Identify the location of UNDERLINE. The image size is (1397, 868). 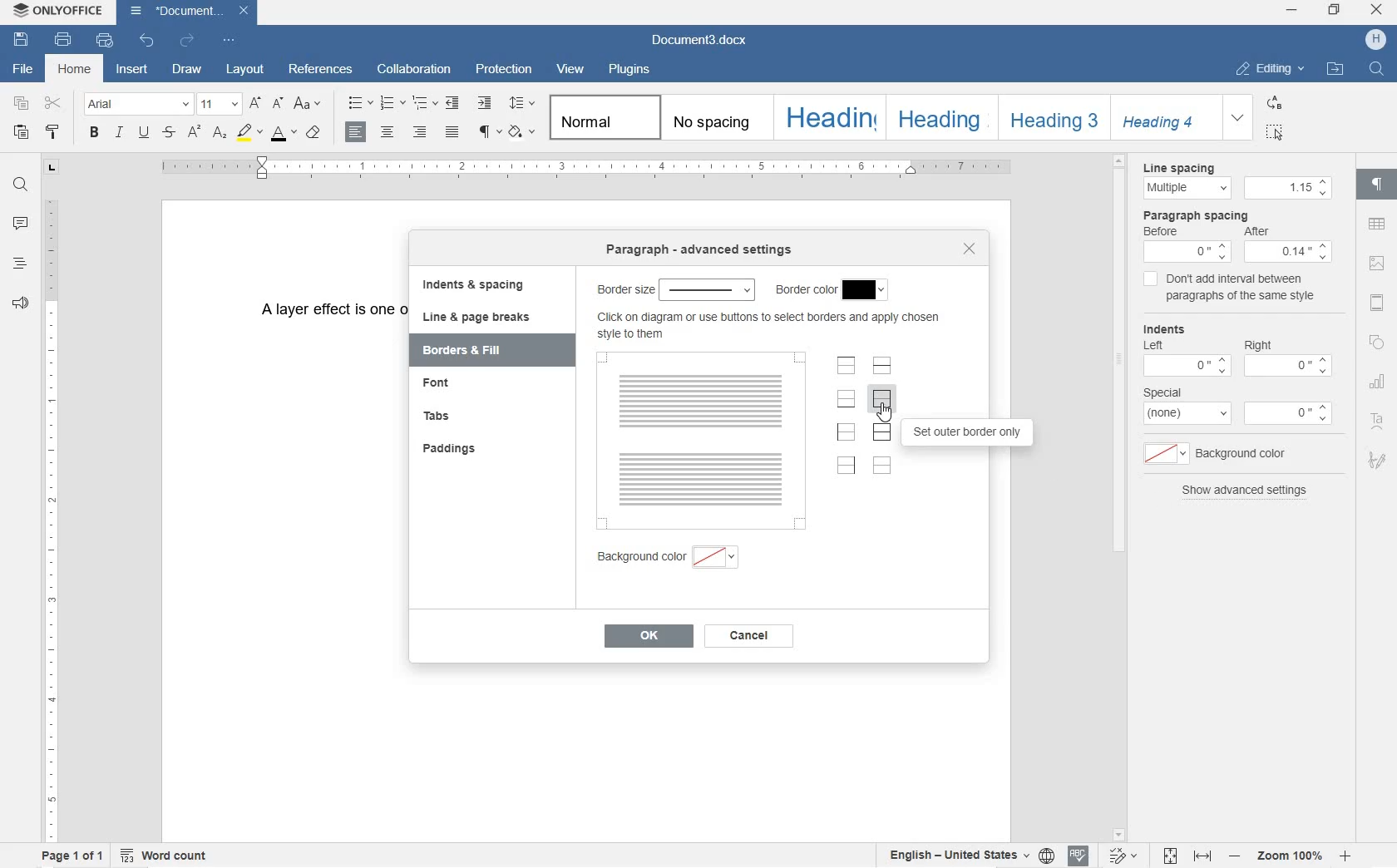
(146, 133).